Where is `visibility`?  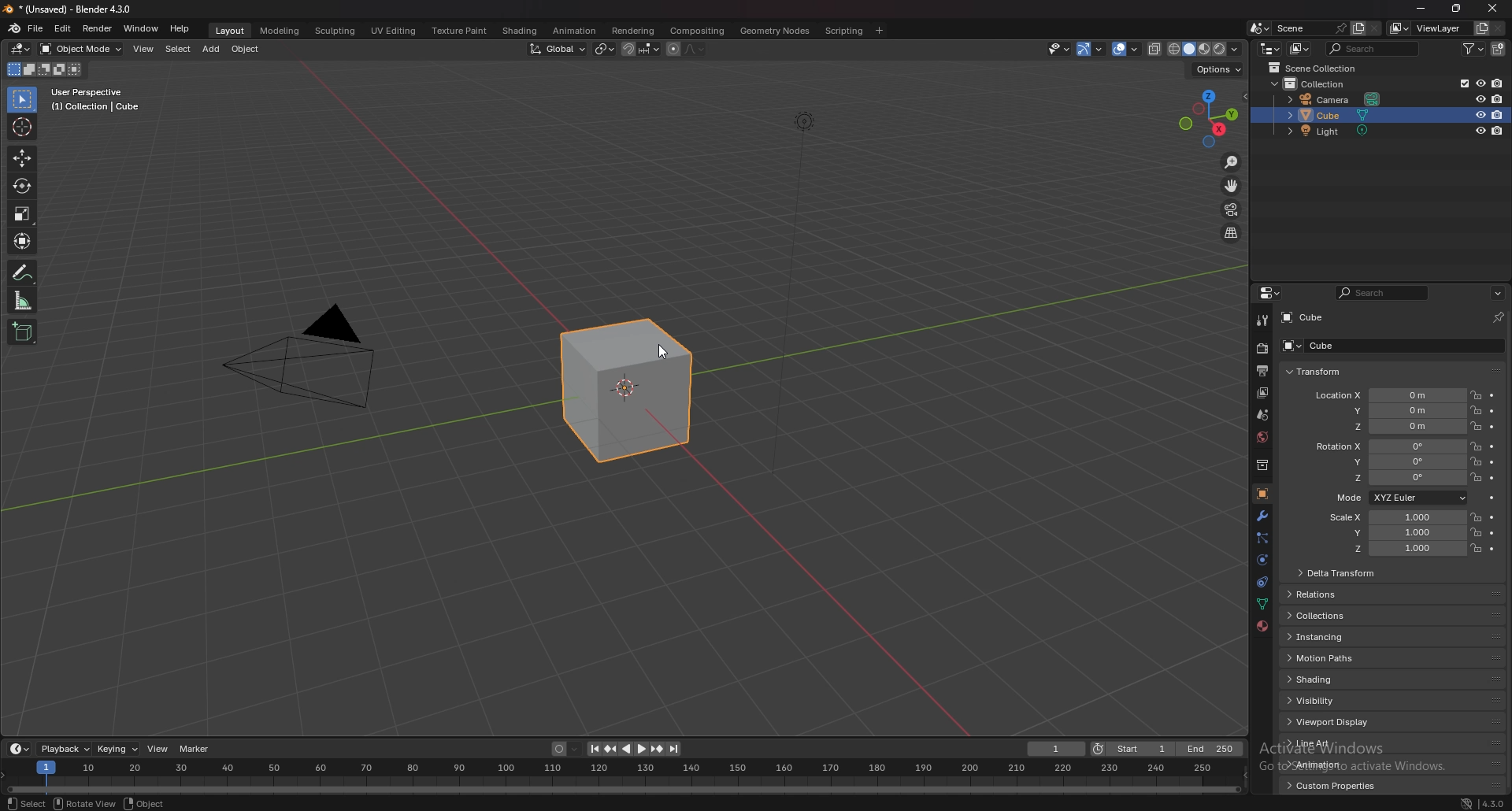
visibility is located at coordinates (1317, 700).